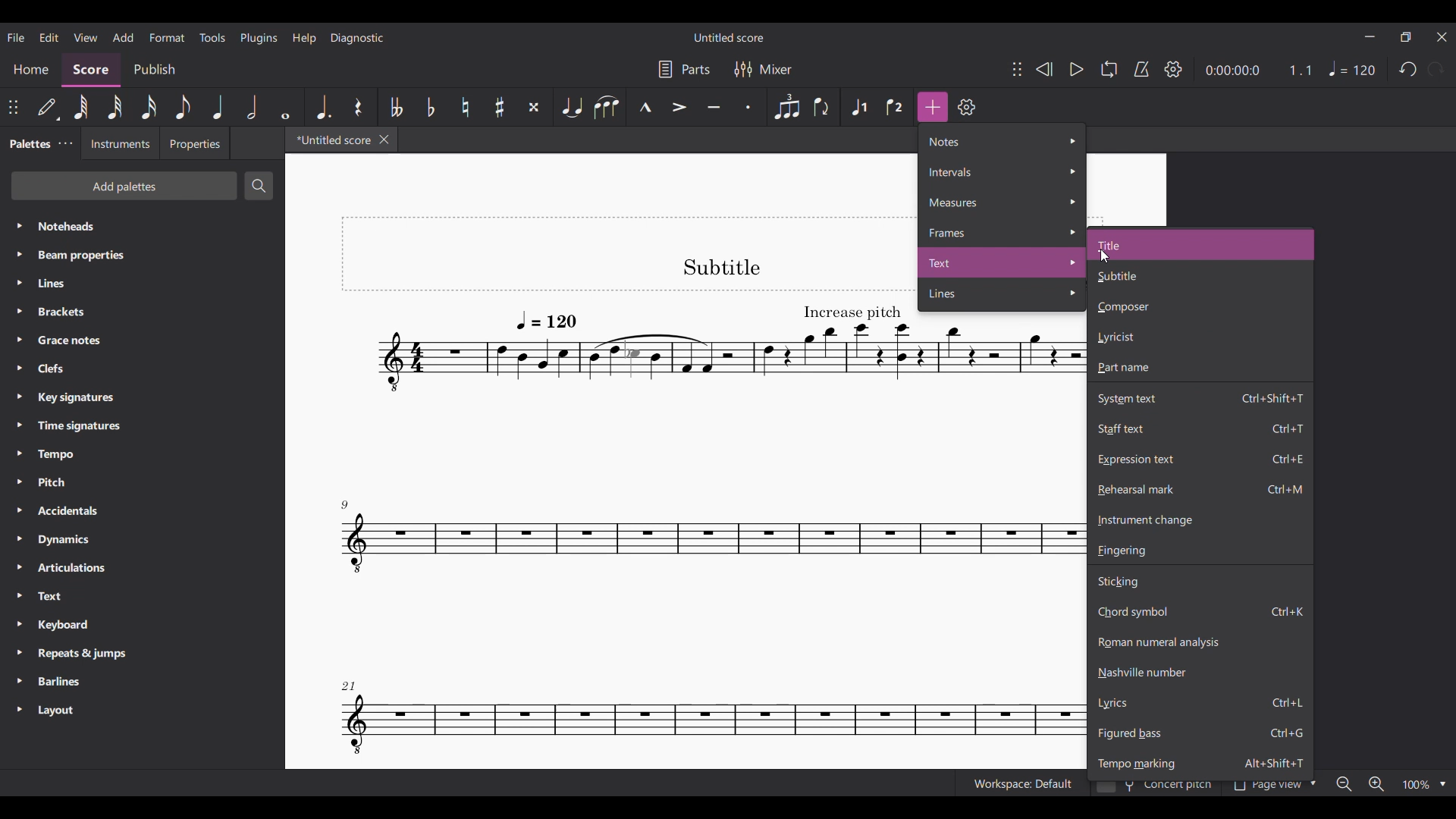  Describe the element at coordinates (1353, 68) in the screenshot. I see `Tempo` at that location.